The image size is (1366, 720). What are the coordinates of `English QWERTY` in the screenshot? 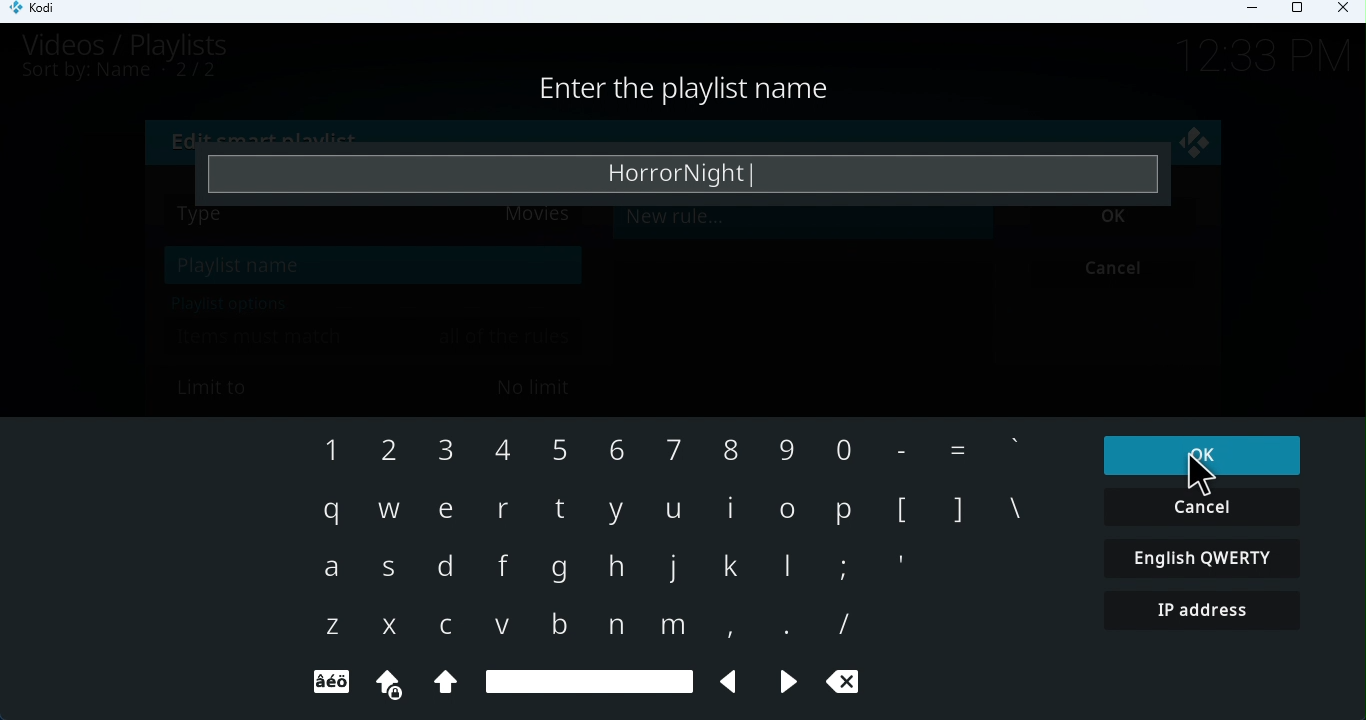 It's located at (1204, 557).